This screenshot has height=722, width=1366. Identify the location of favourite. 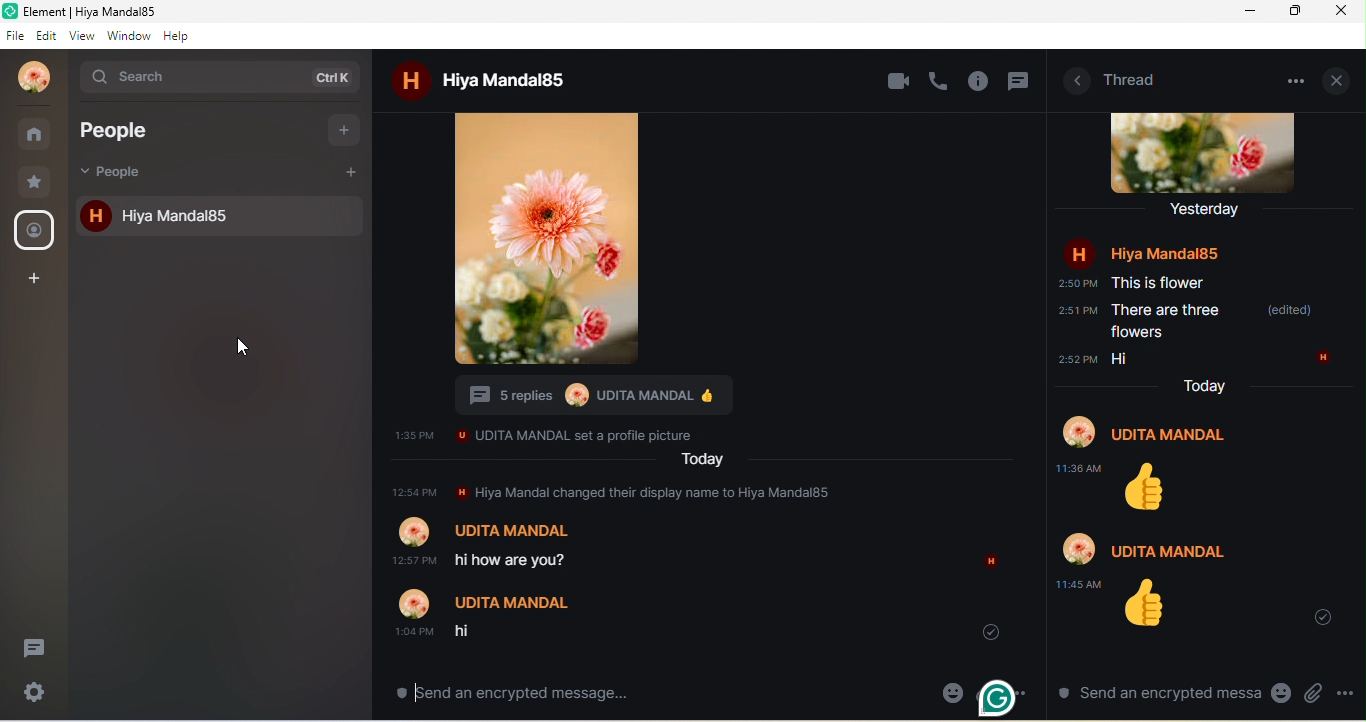
(38, 181).